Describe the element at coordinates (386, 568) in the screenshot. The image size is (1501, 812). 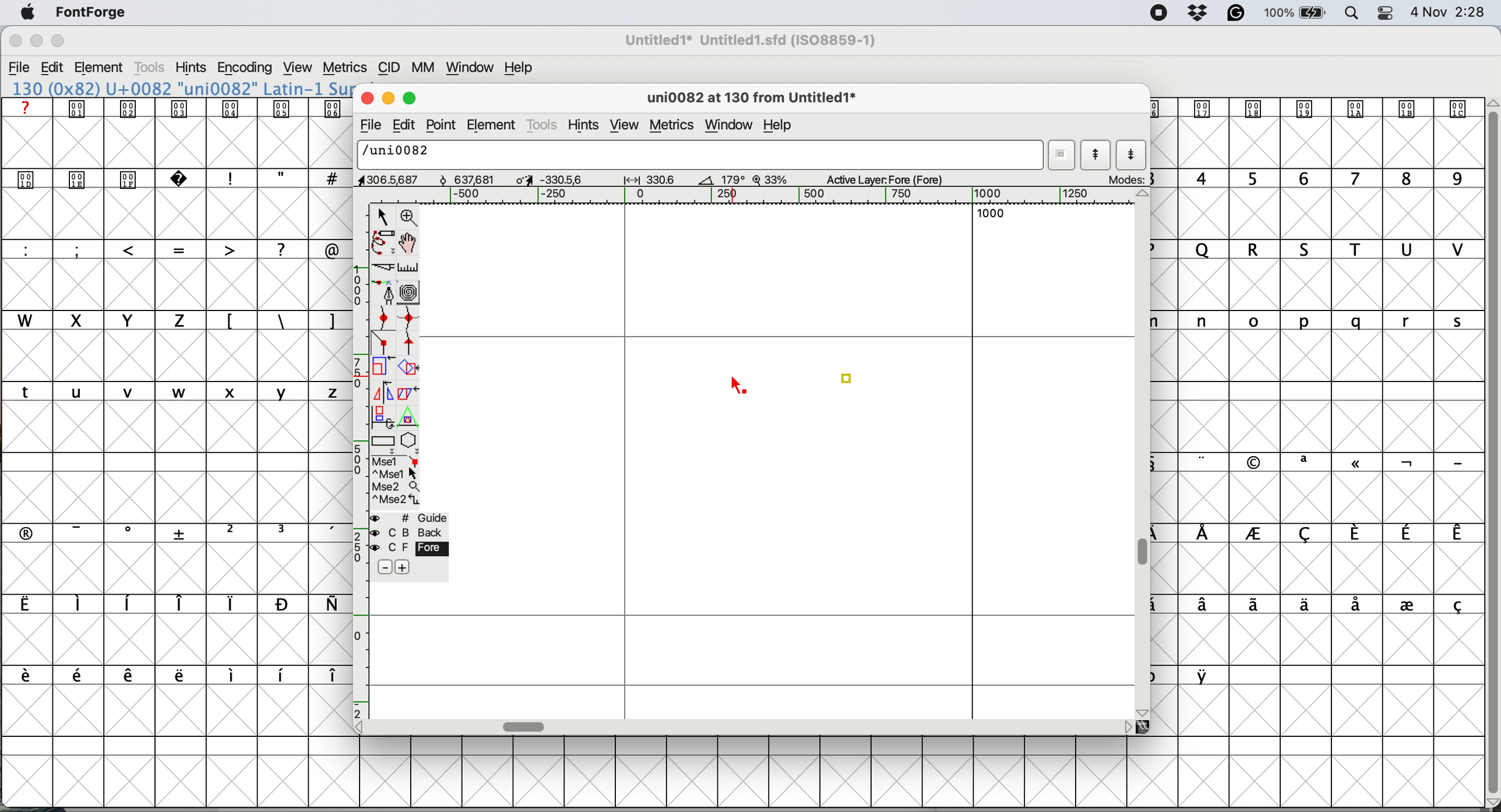
I see `remove` at that location.